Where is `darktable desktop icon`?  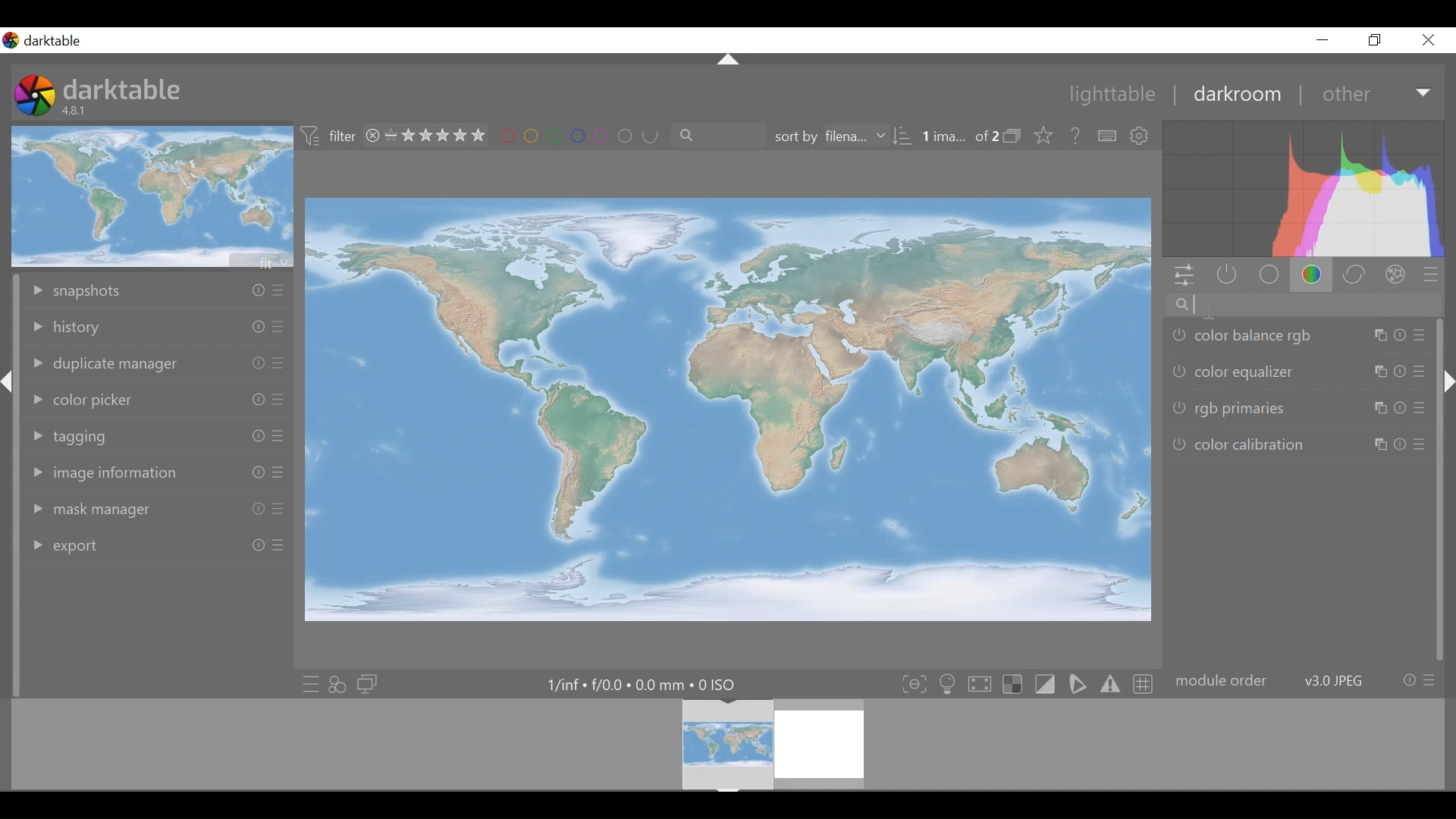 darktable desktop icon is located at coordinates (35, 96).